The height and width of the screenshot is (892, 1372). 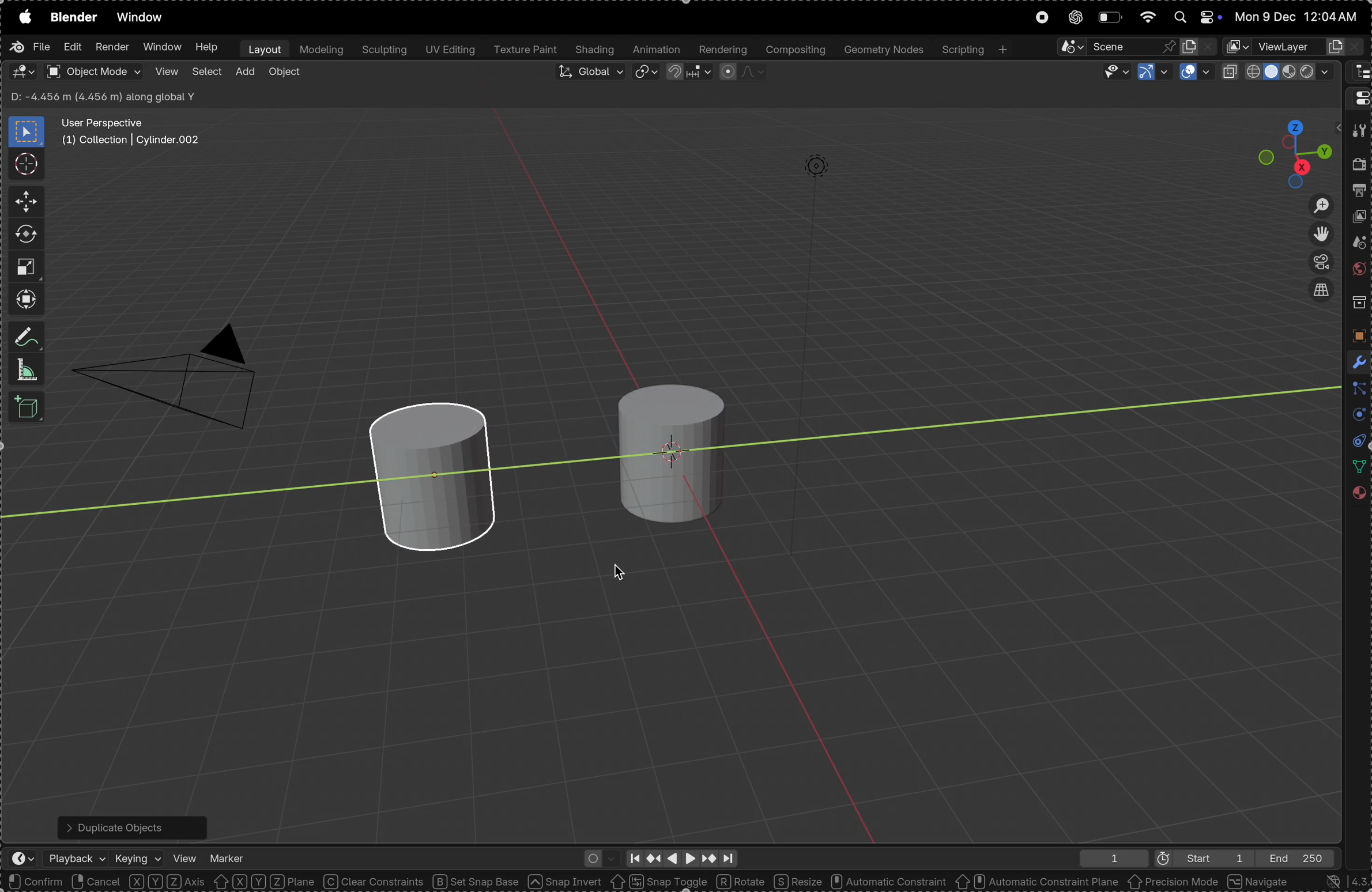 I want to click on precision mode, so click(x=1174, y=883).